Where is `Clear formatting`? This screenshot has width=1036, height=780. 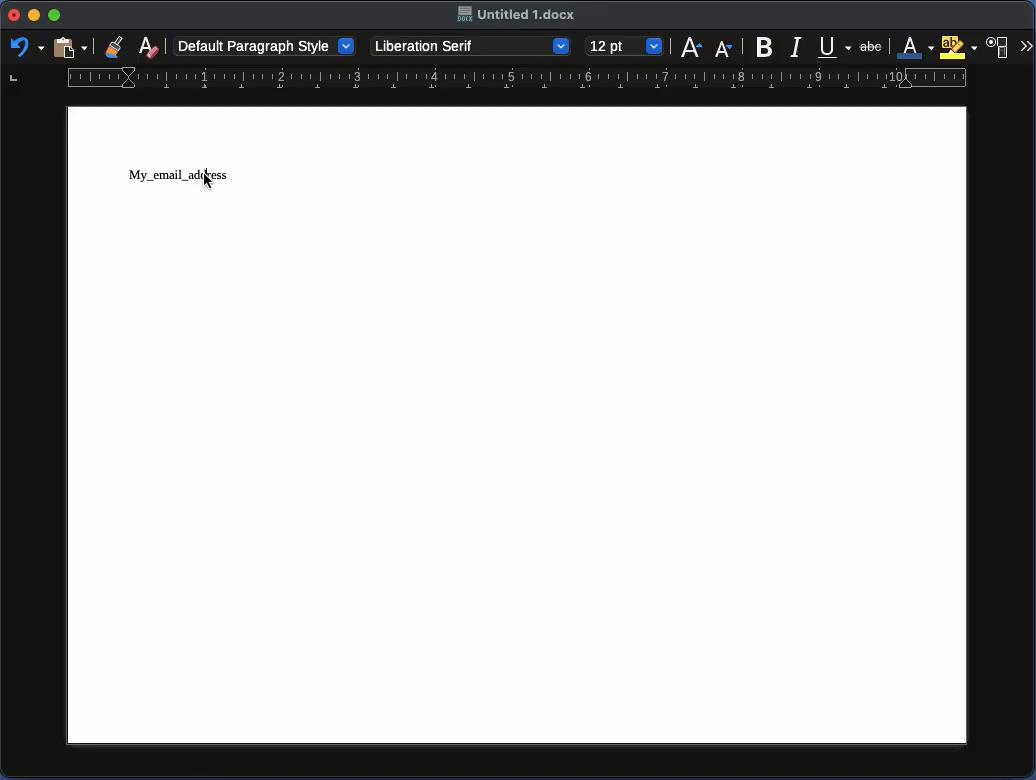 Clear formatting is located at coordinates (150, 45).